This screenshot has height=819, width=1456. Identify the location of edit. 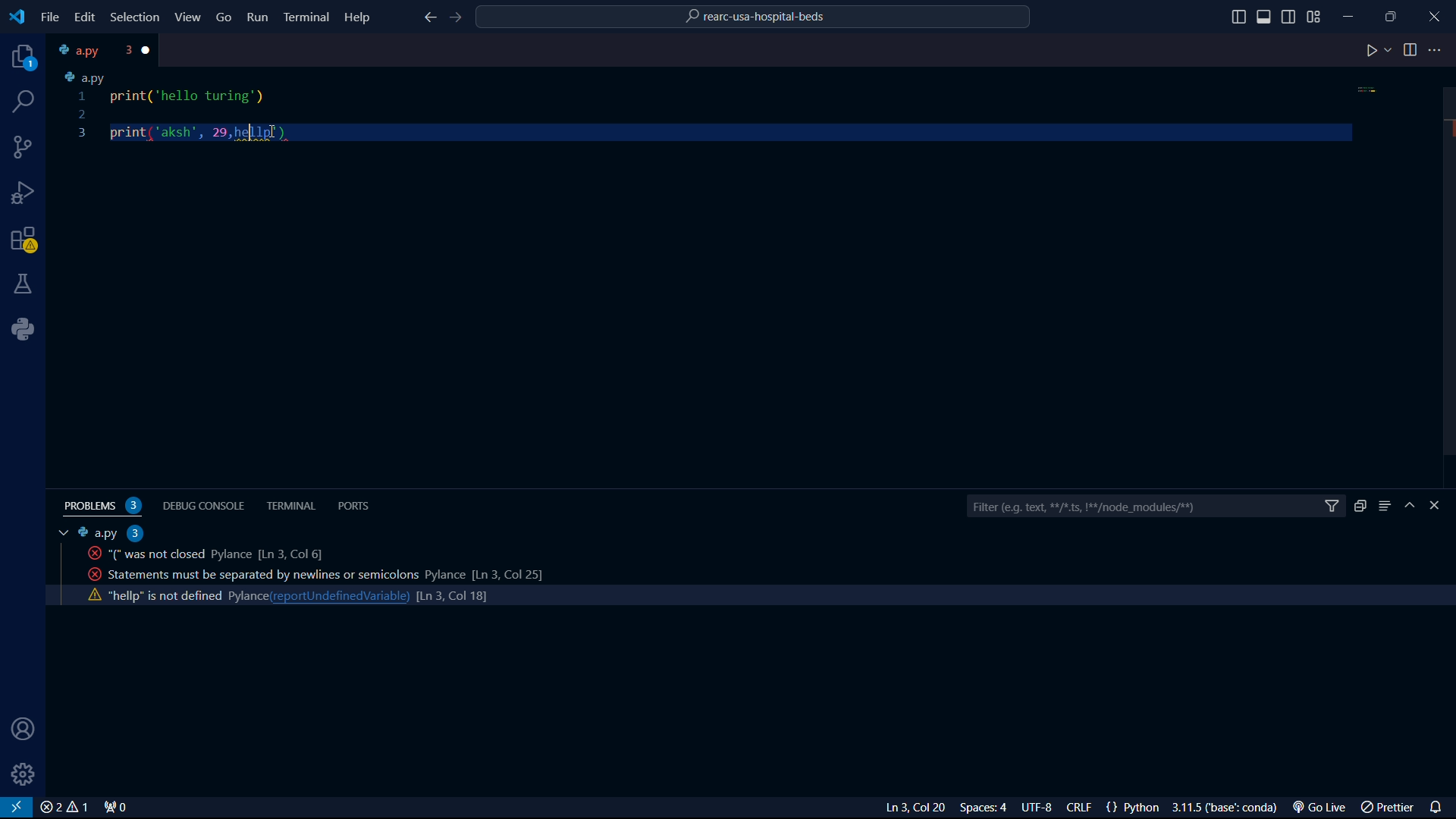
(83, 17).